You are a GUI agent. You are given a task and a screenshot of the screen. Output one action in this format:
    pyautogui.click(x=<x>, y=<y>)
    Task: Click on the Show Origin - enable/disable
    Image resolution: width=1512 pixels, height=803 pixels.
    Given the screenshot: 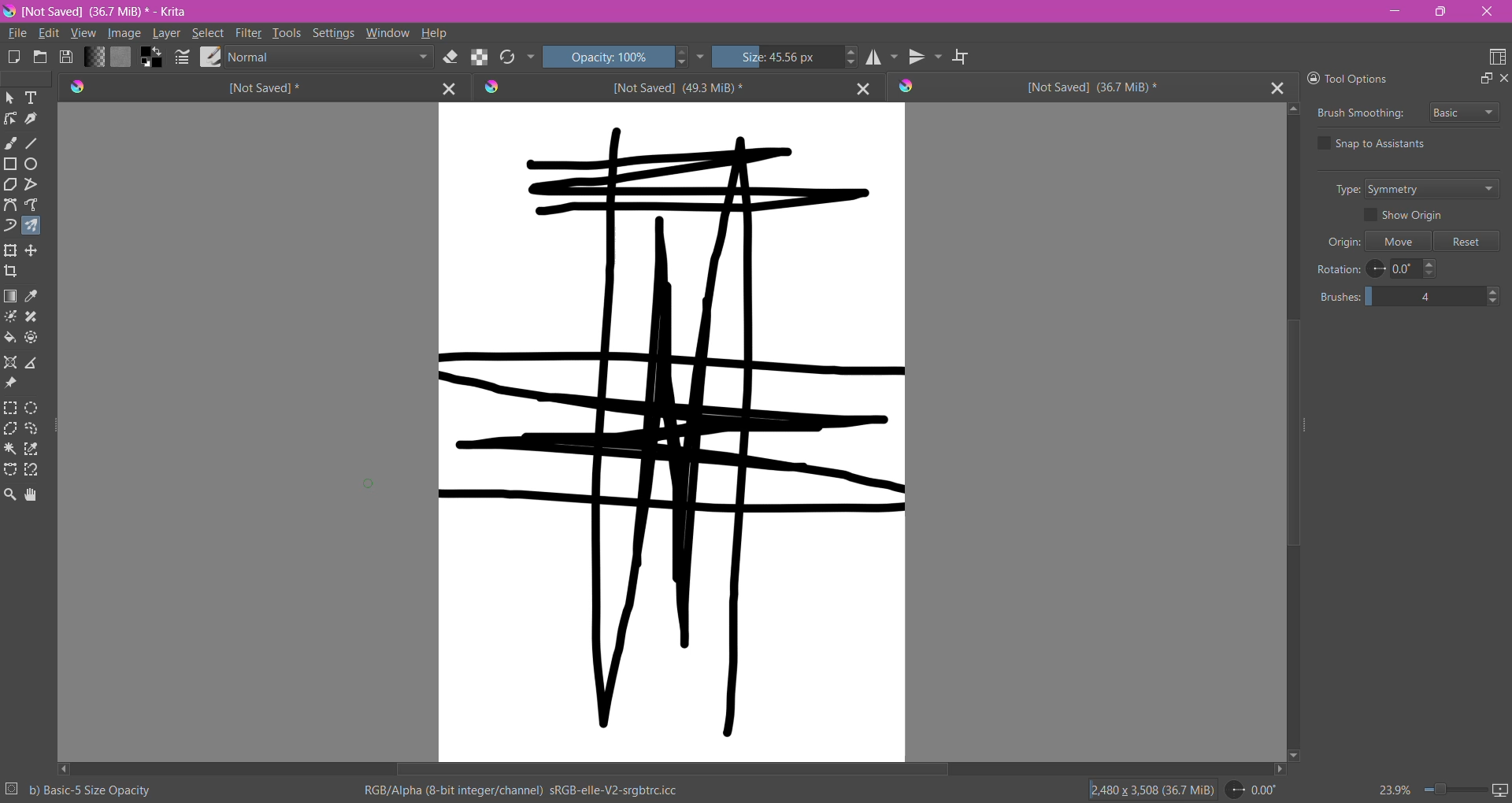 What is the action you would take?
    pyautogui.click(x=1409, y=216)
    